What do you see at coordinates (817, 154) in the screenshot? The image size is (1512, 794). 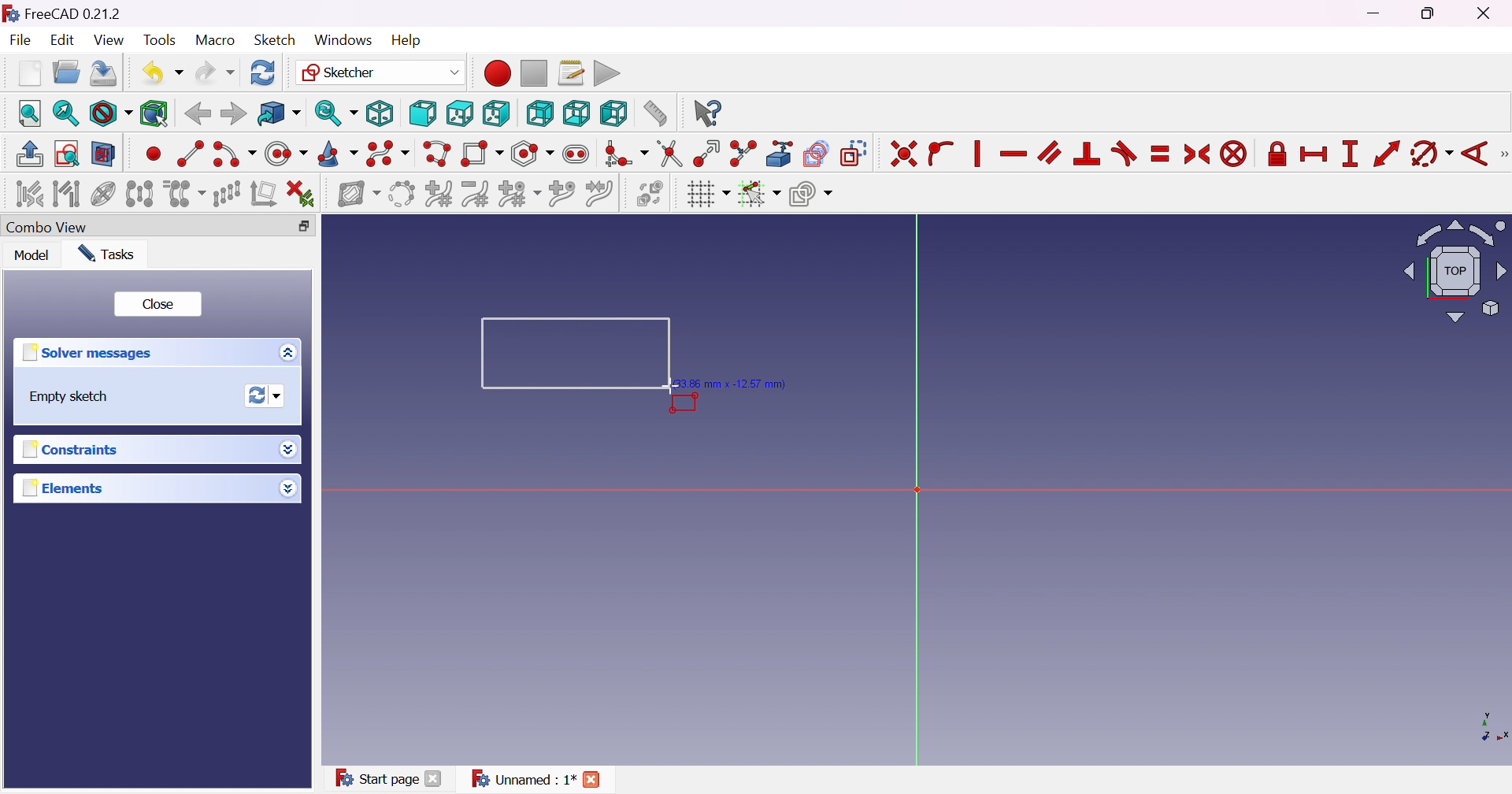 I see `Create carbon copy` at bounding box center [817, 154].